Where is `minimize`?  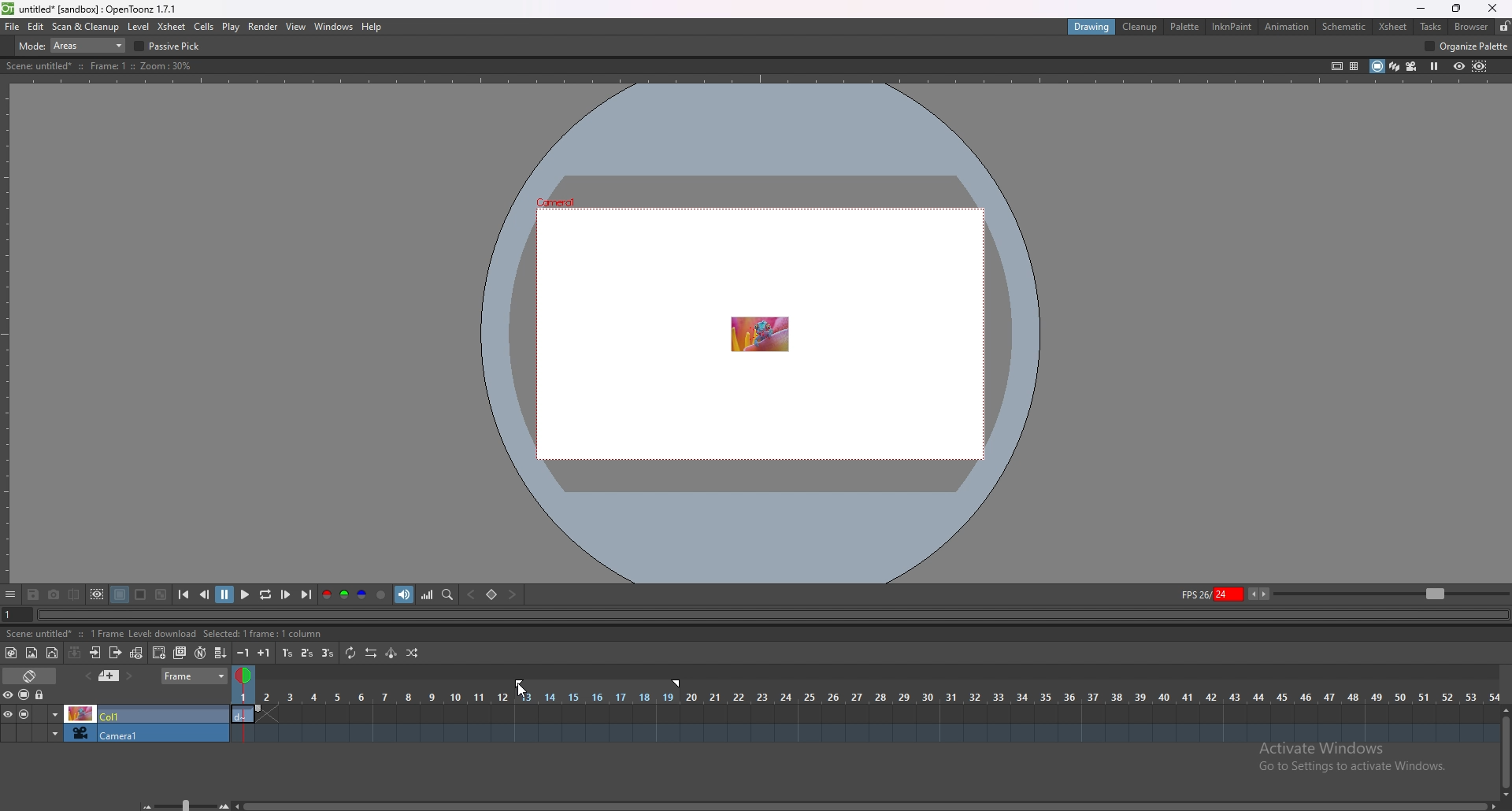 minimize is located at coordinates (1421, 9).